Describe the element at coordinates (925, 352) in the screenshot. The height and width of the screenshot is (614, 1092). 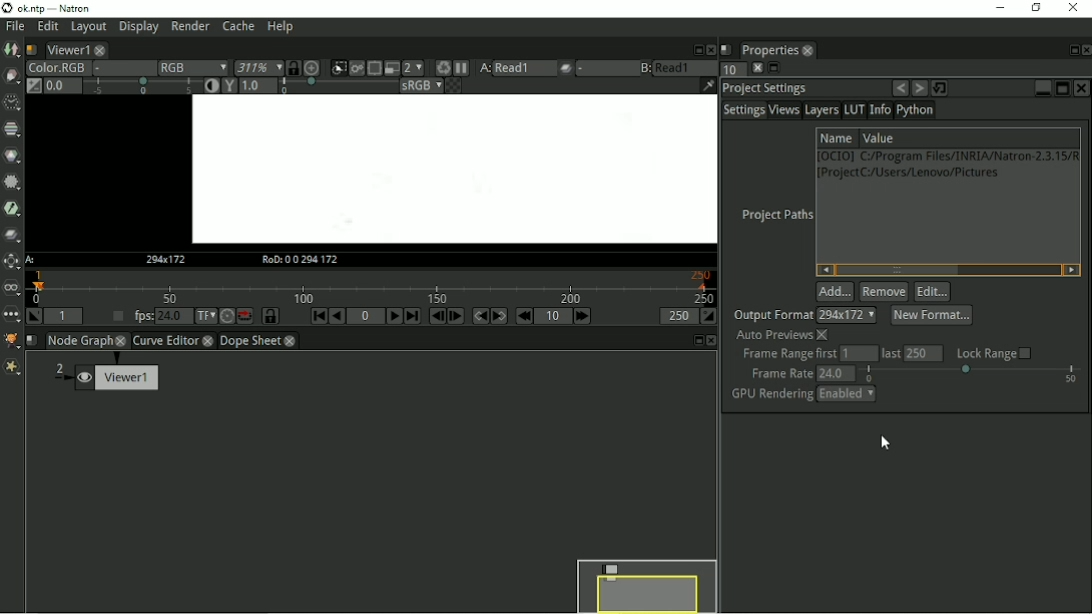
I see `250` at that location.